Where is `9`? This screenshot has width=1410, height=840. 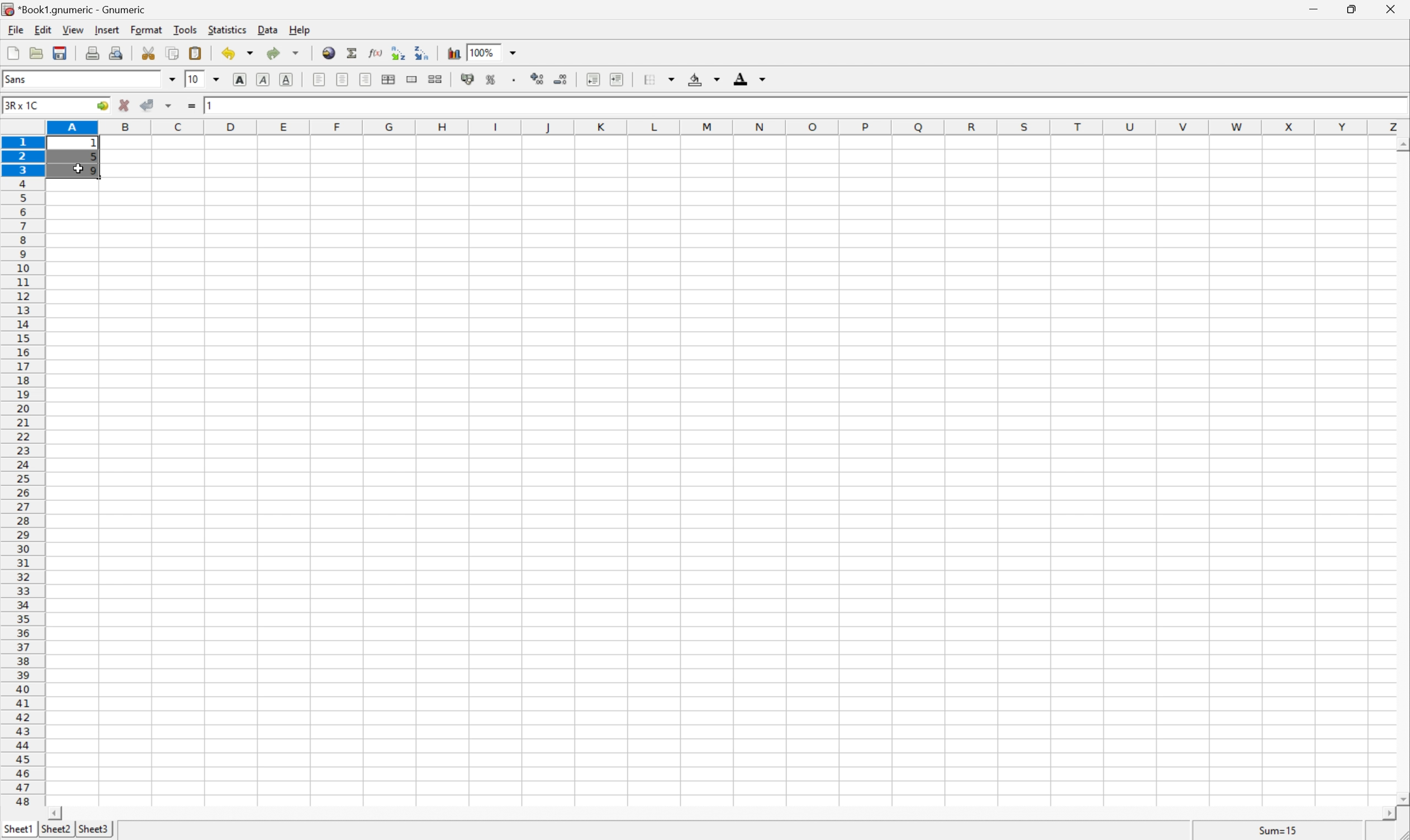
9 is located at coordinates (95, 172).